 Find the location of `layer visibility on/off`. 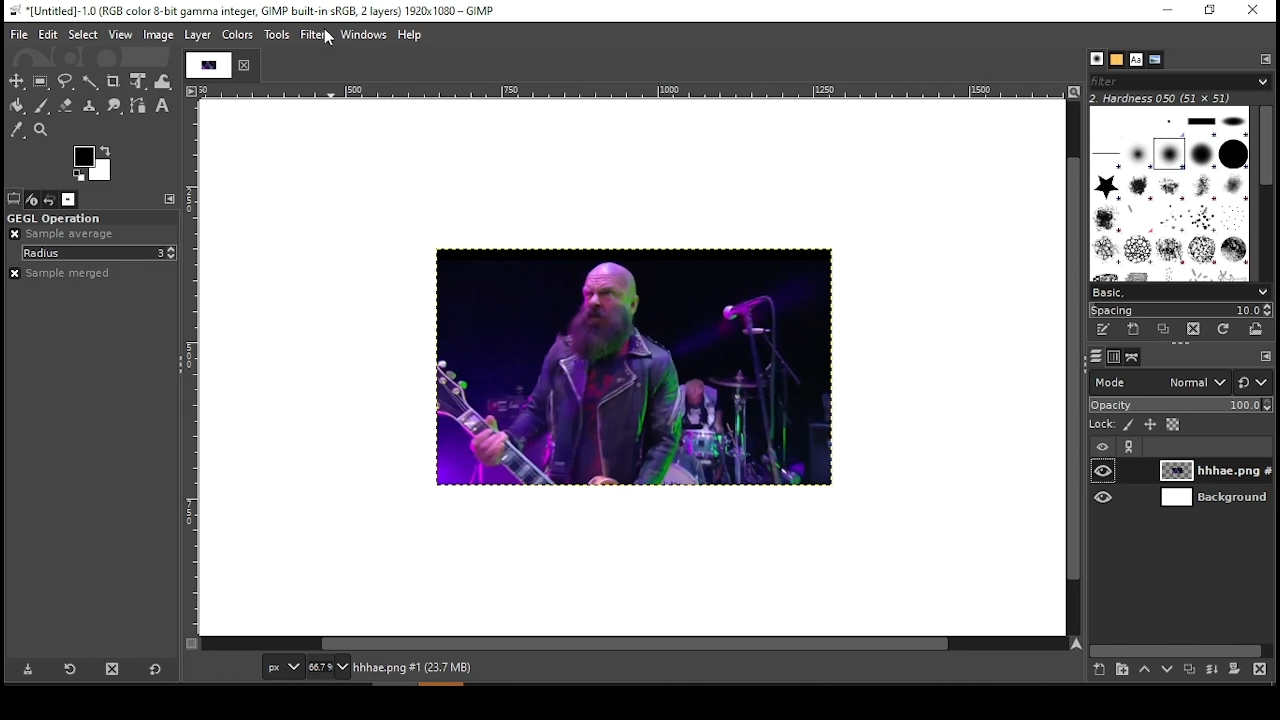

layer visibility on/off is located at coordinates (1105, 471).